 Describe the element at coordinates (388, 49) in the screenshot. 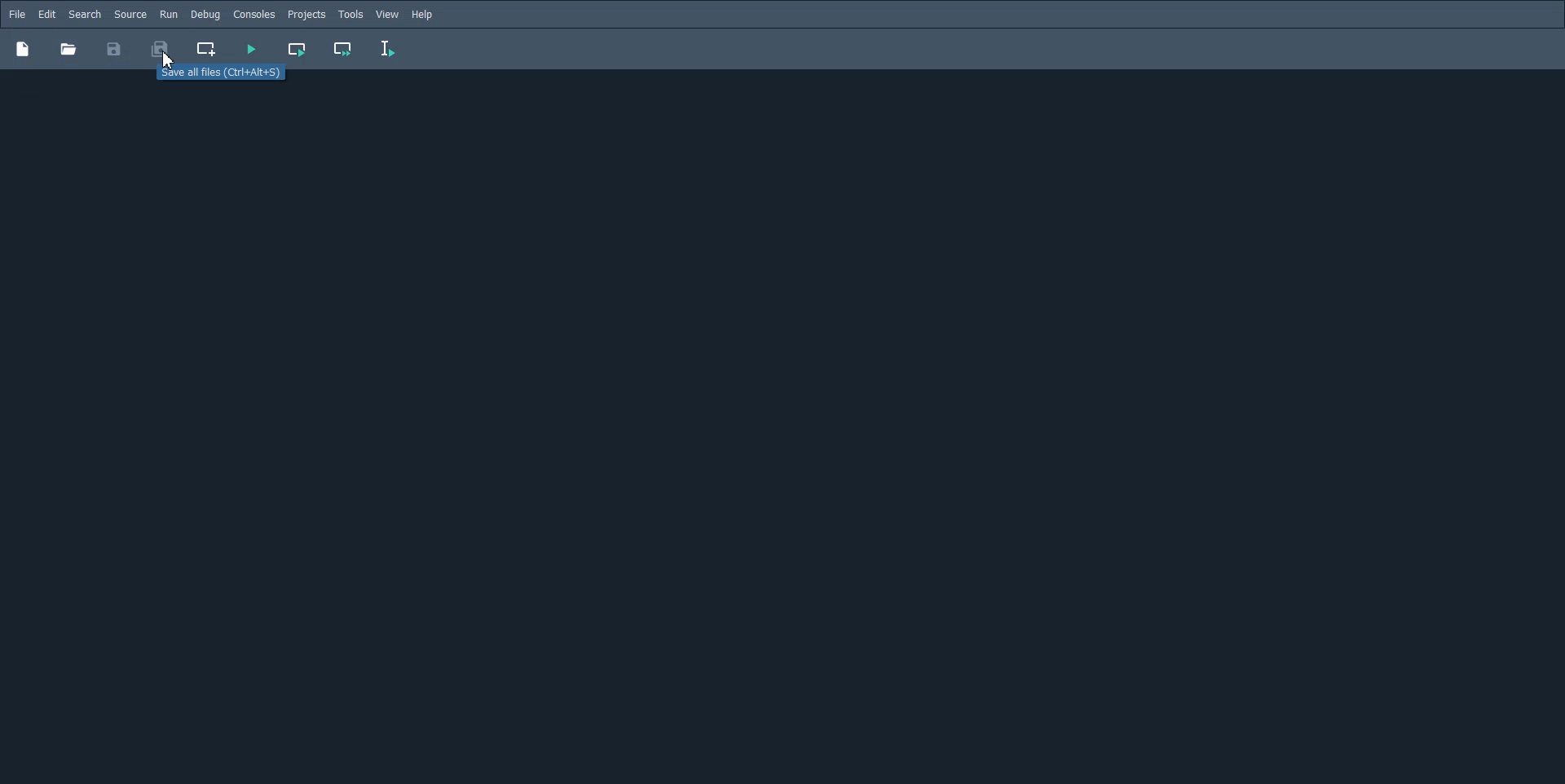

I see `Run Selection` at that location.